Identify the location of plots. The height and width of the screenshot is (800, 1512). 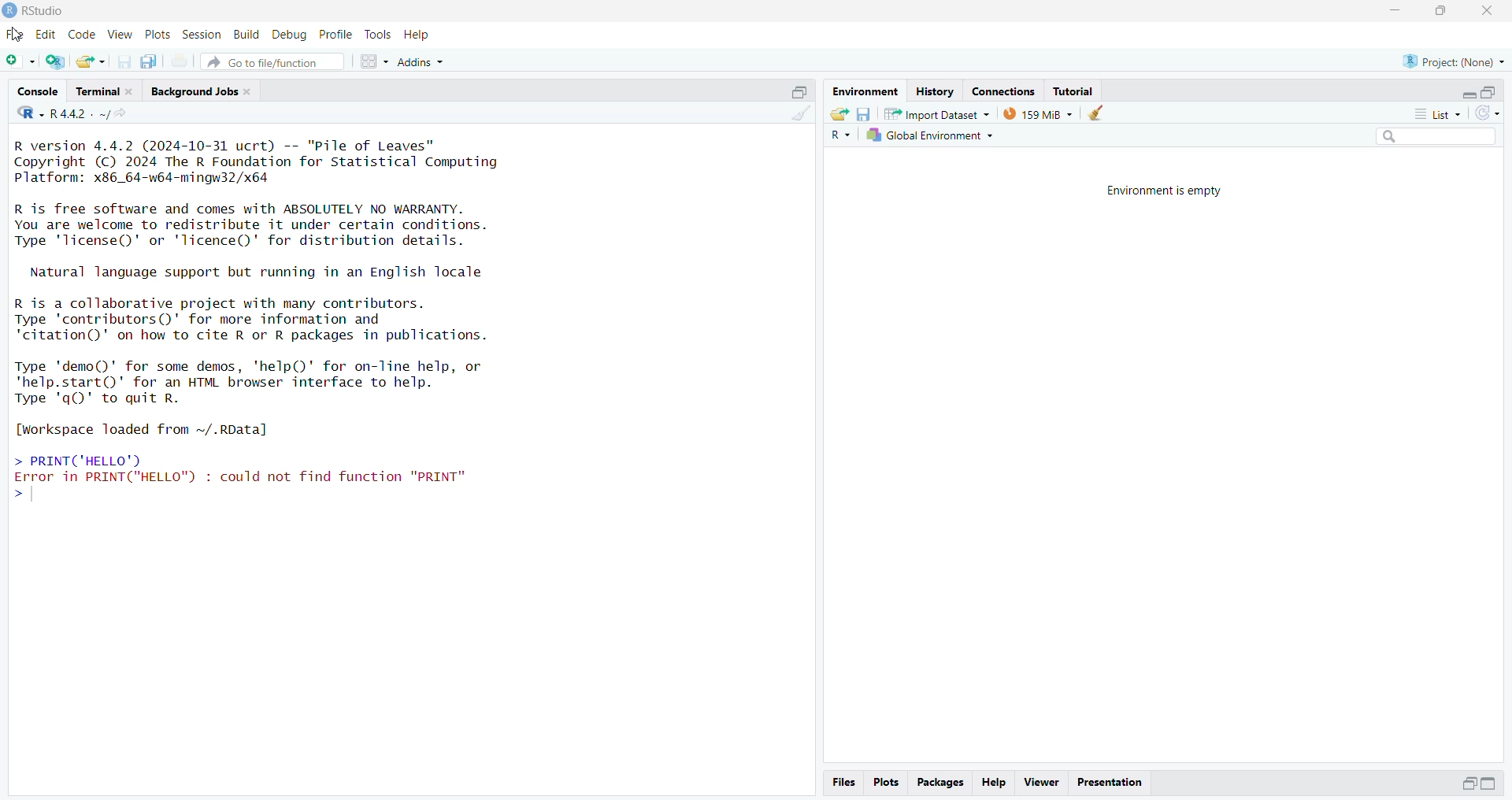
(159, 35).